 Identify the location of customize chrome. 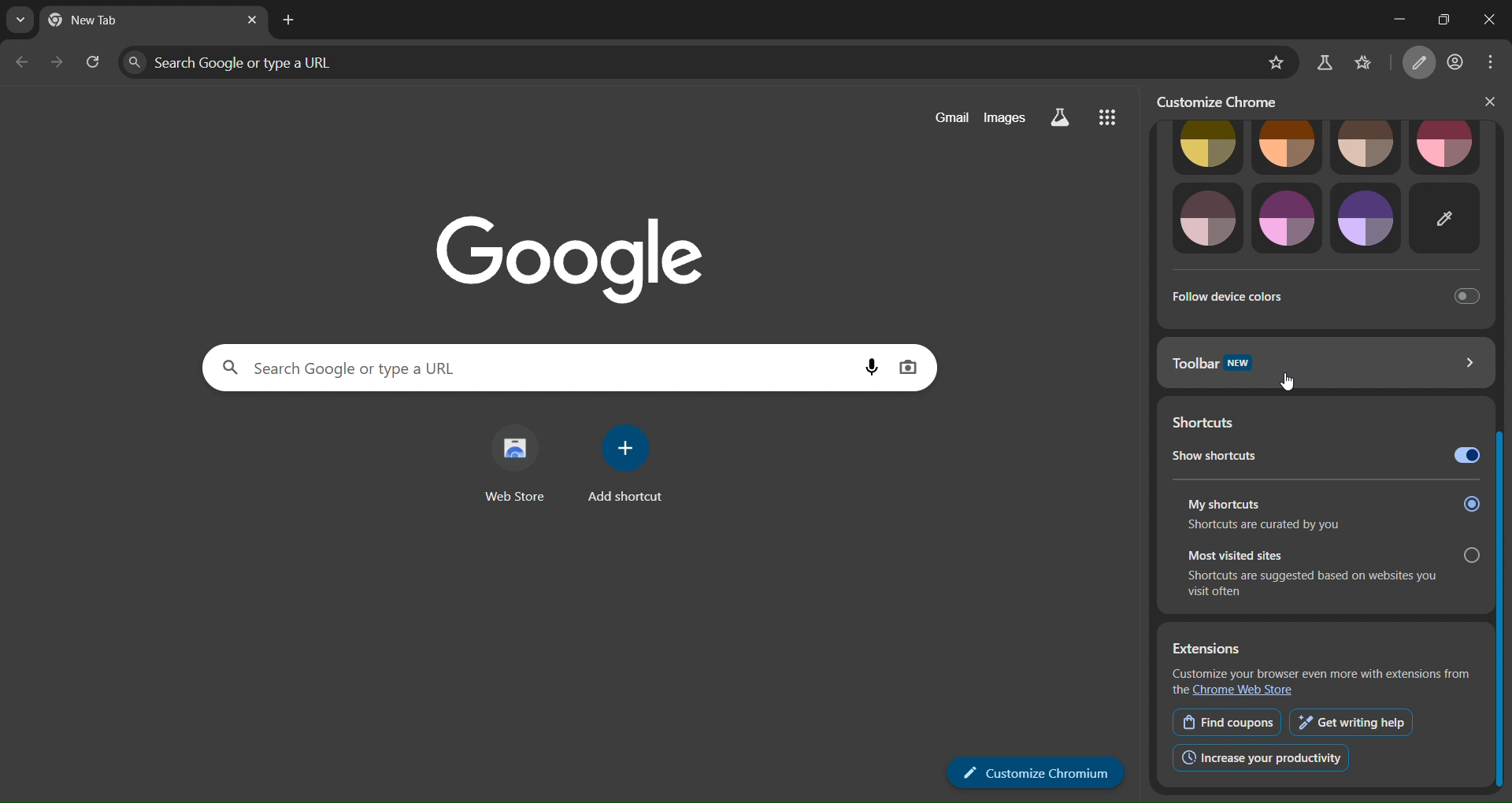
(1422, 63).